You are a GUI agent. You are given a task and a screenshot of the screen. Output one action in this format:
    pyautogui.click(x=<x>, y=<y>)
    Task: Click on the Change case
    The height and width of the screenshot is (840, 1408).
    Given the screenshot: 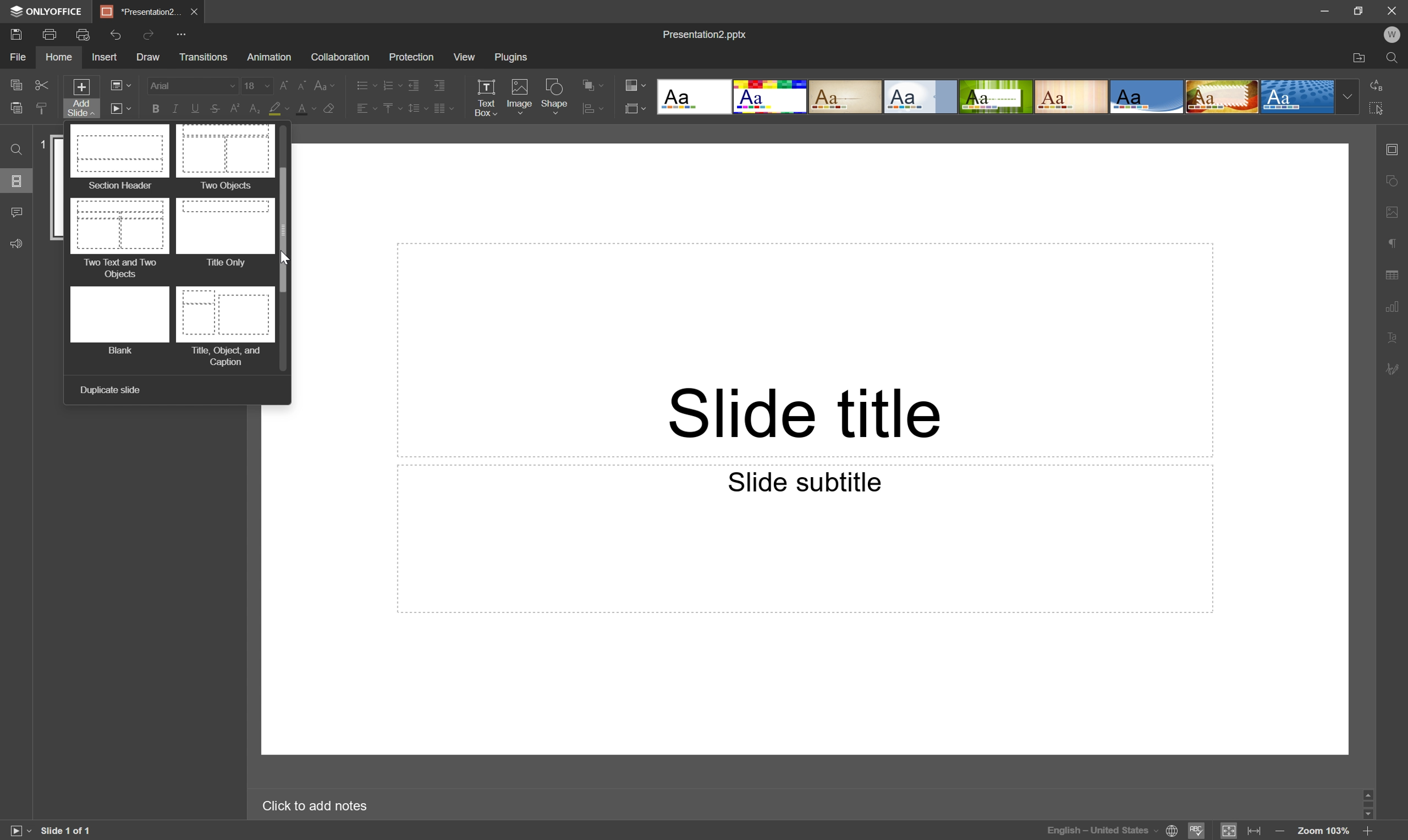 What is the action you would take?
    pyautogui.click(x=327, y=83)
    